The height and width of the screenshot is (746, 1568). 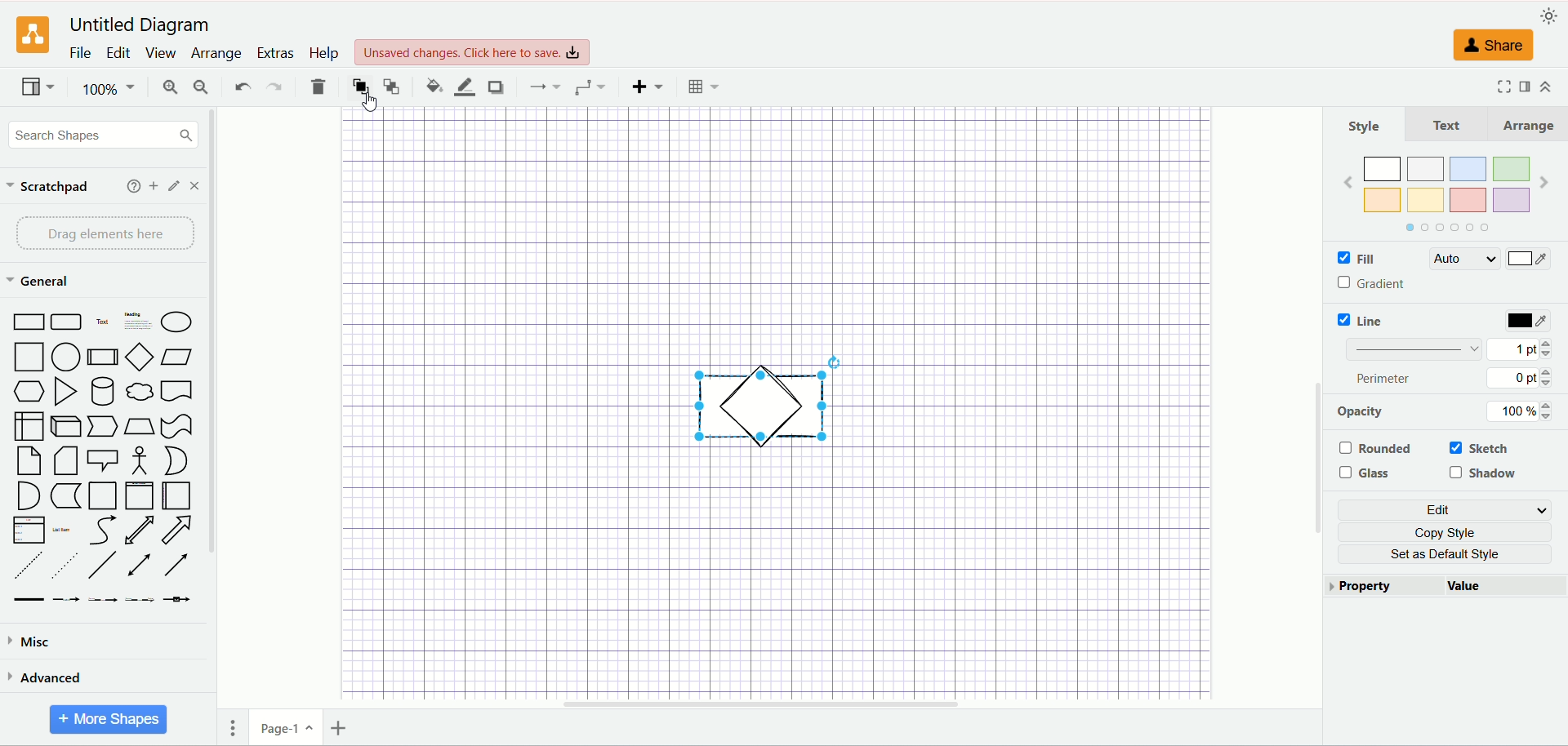 I want to click on Step, so click(x=101, y=426).